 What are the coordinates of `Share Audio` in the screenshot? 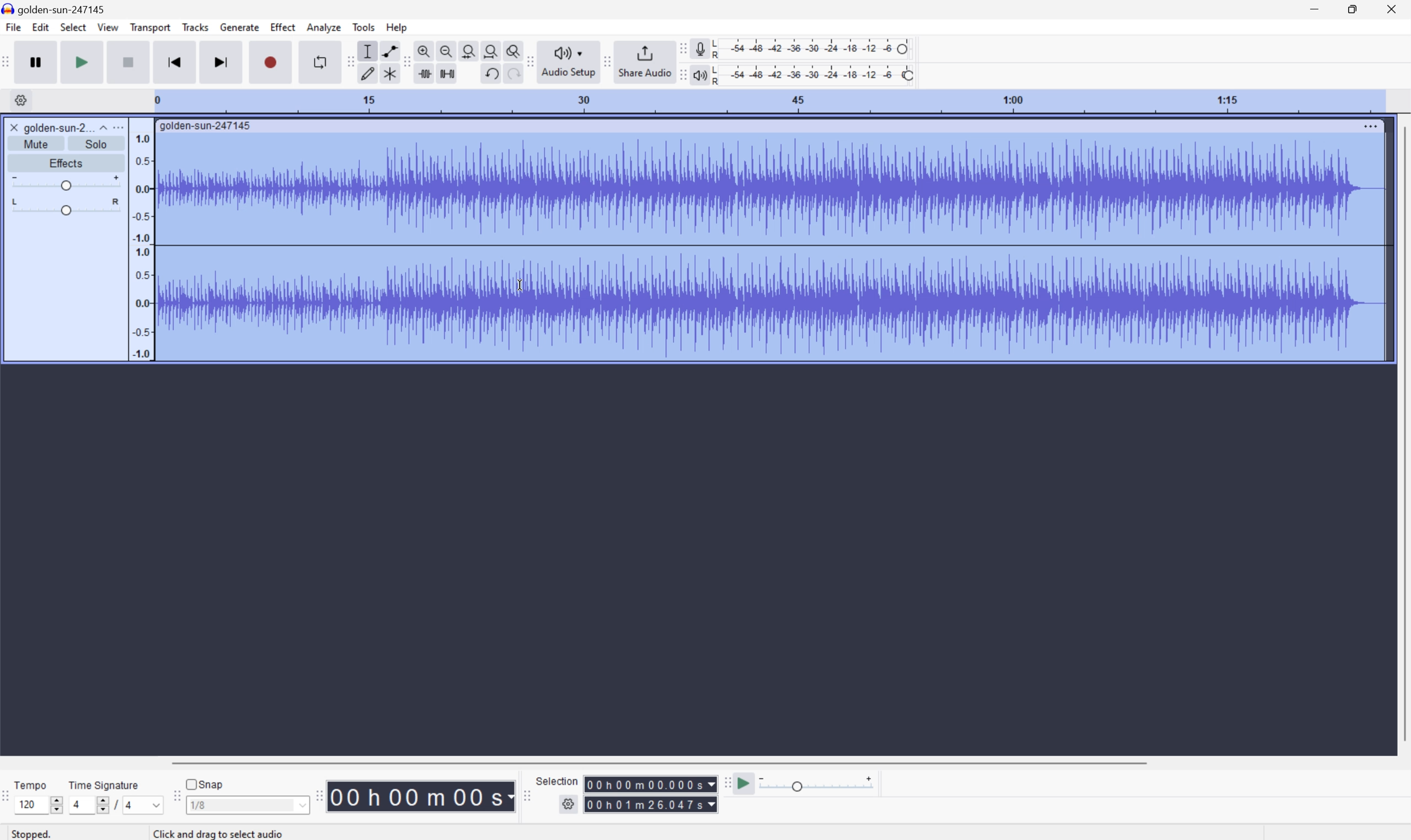 It's located at (644, 61).